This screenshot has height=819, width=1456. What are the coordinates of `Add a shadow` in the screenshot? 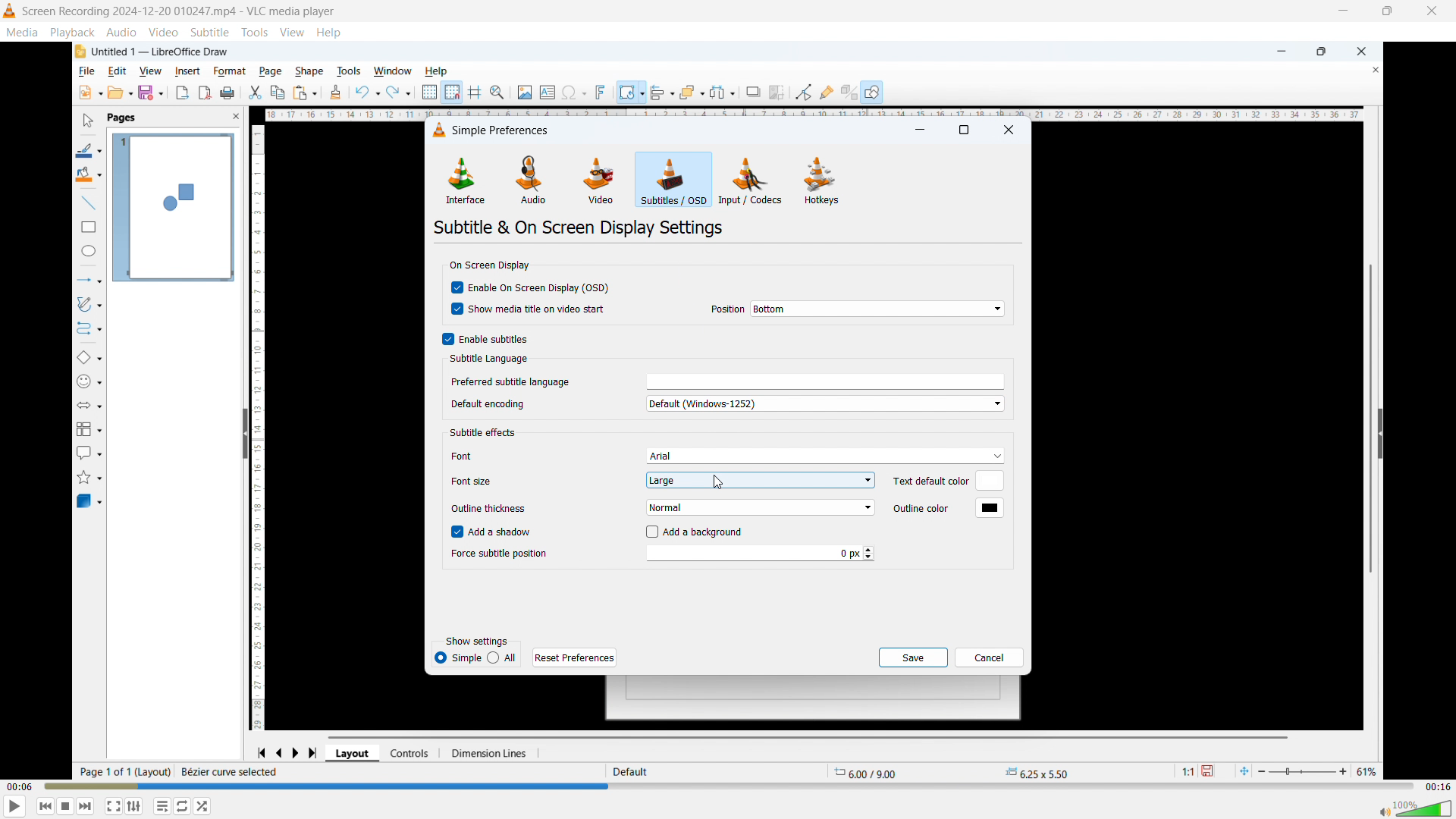 It's located at (492, 532).